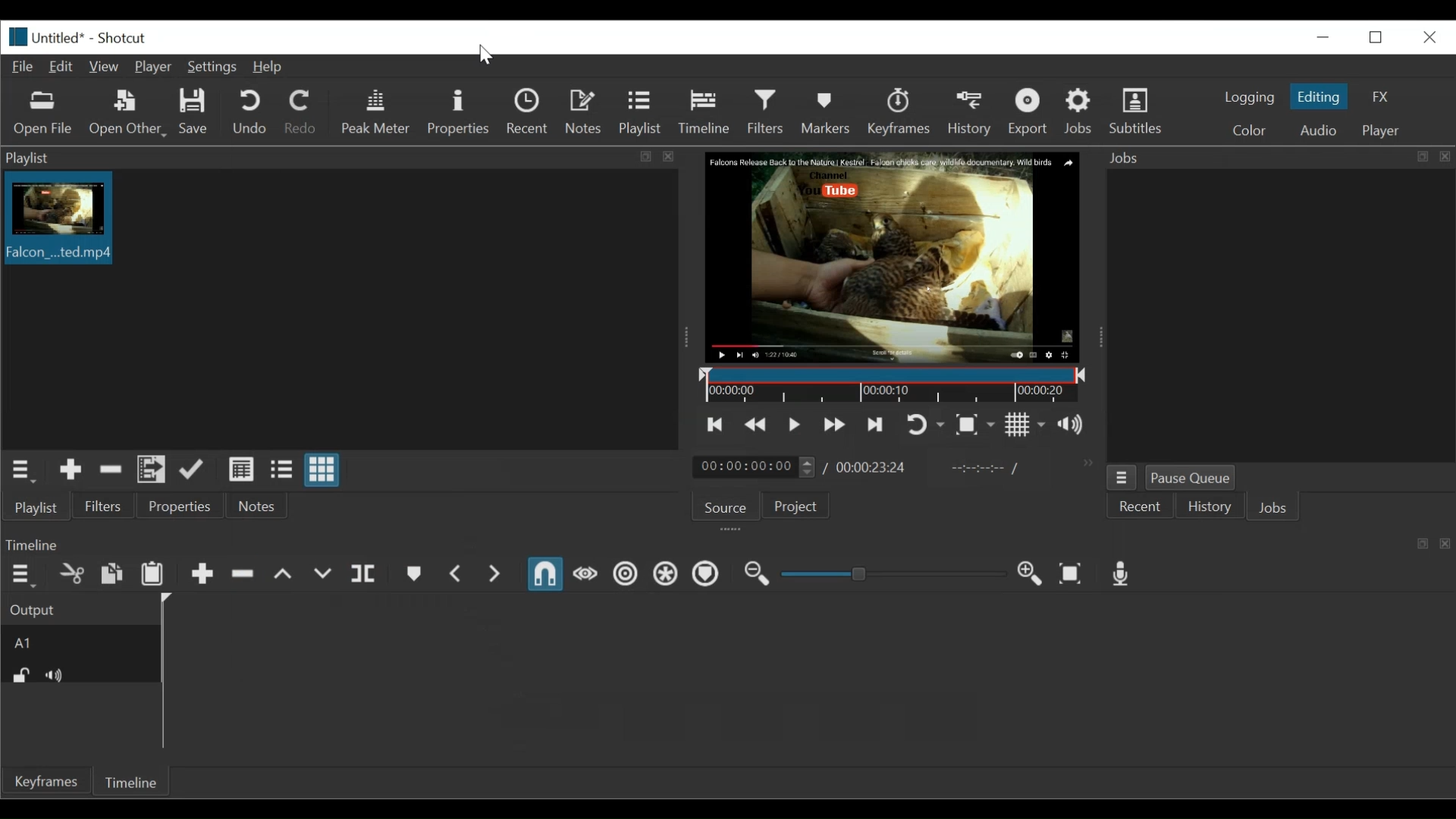 The width and height of the screenshot is (1456, 819). What do you see at coordinates (827, 111) in the screenshot?
I see `Markers` at bounding box center [827, 111].